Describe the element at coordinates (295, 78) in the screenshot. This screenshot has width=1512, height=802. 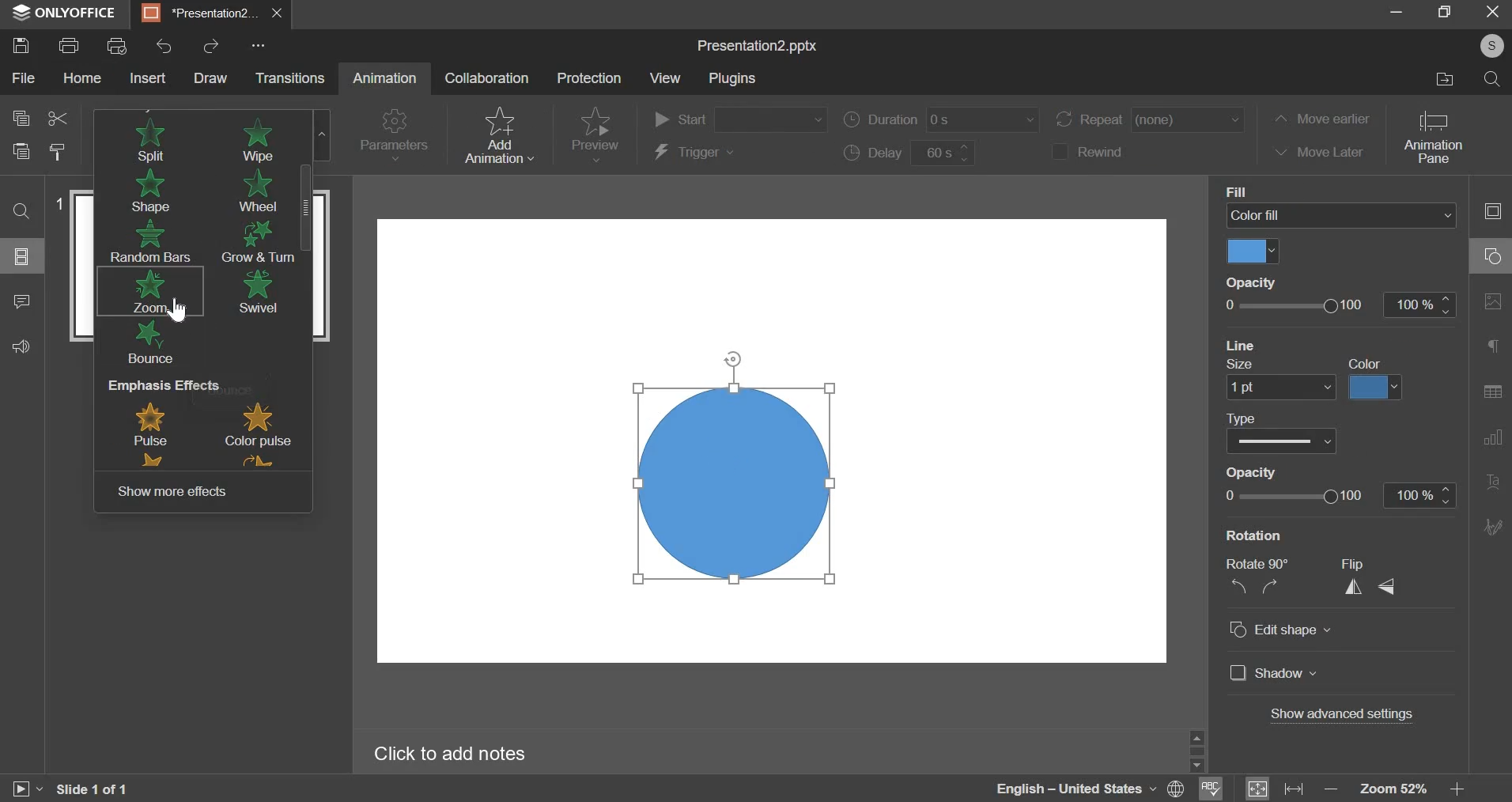
I see `Transitions` at that location.